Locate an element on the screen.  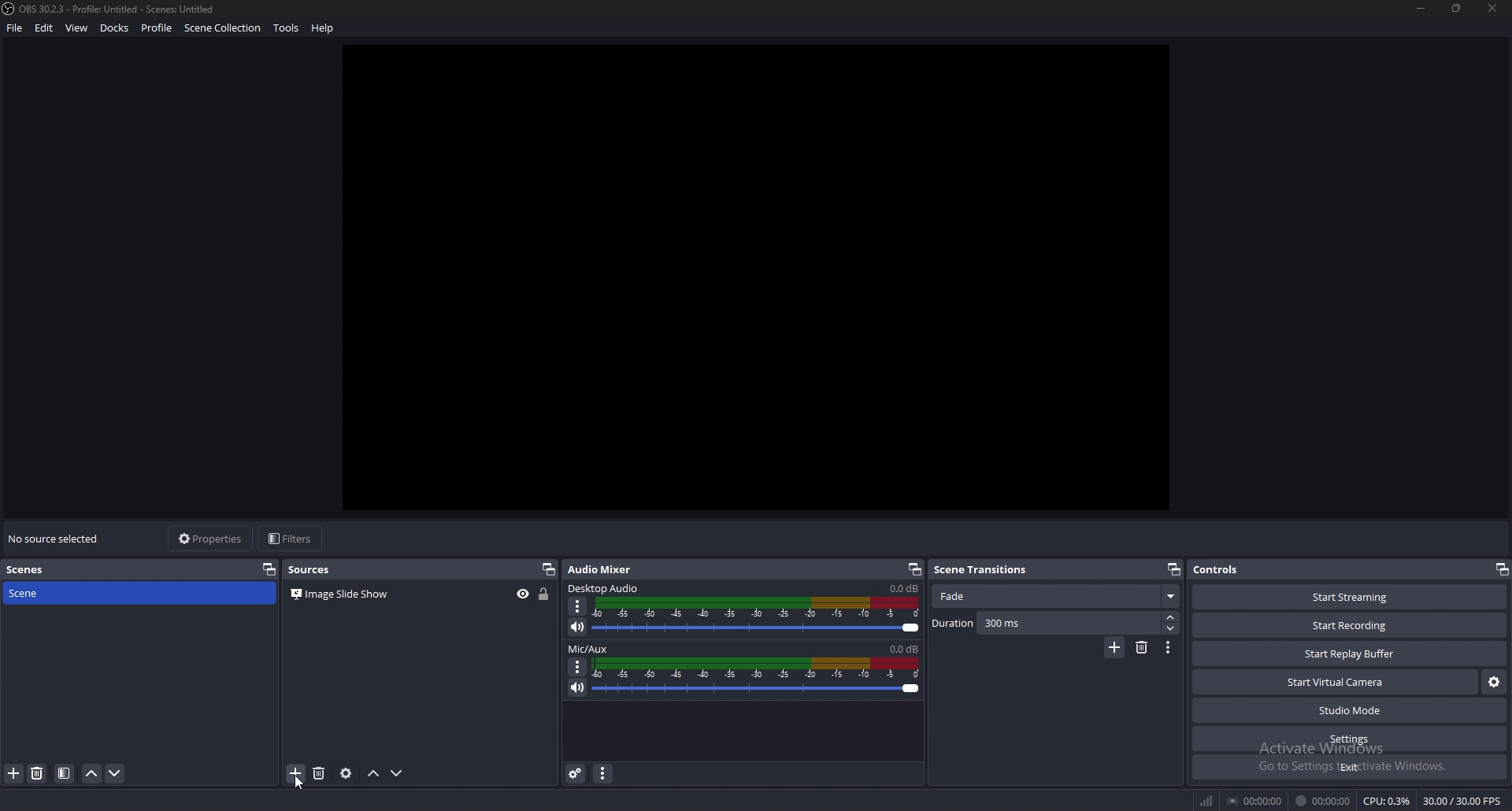
file name is located at coordinates (110, 9).